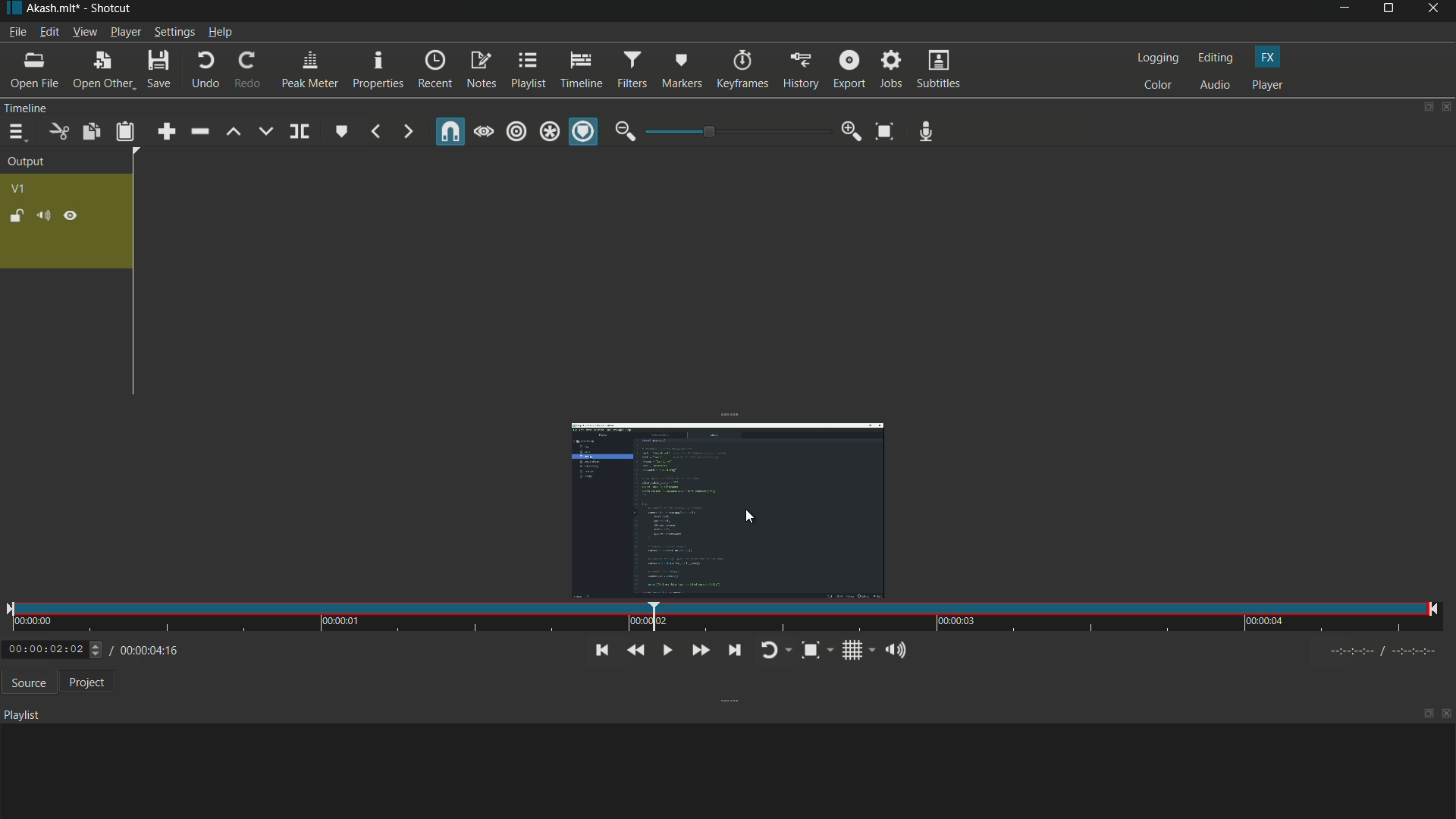  Describe the element at coordinates (1436, 11) in the screenshot. I see `close app` at that location.